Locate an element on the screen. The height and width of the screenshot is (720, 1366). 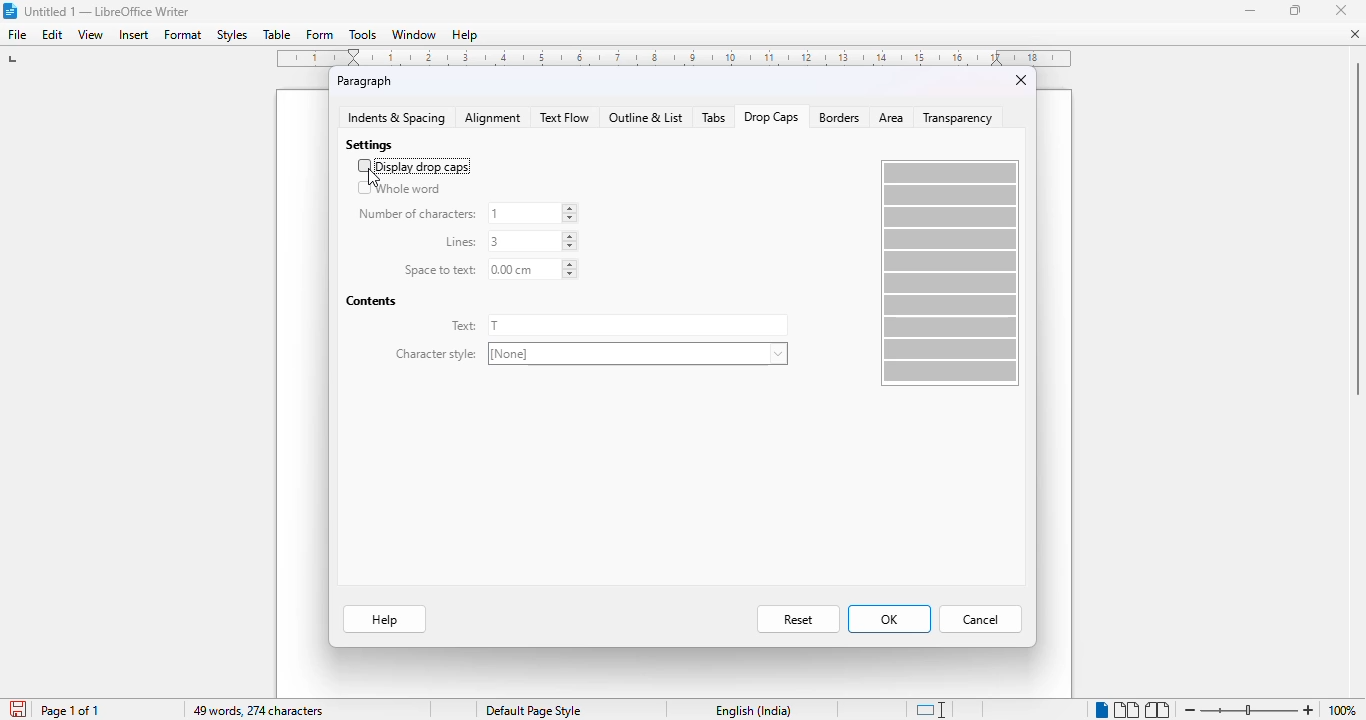
100% is located at coordinates (1339, 710).